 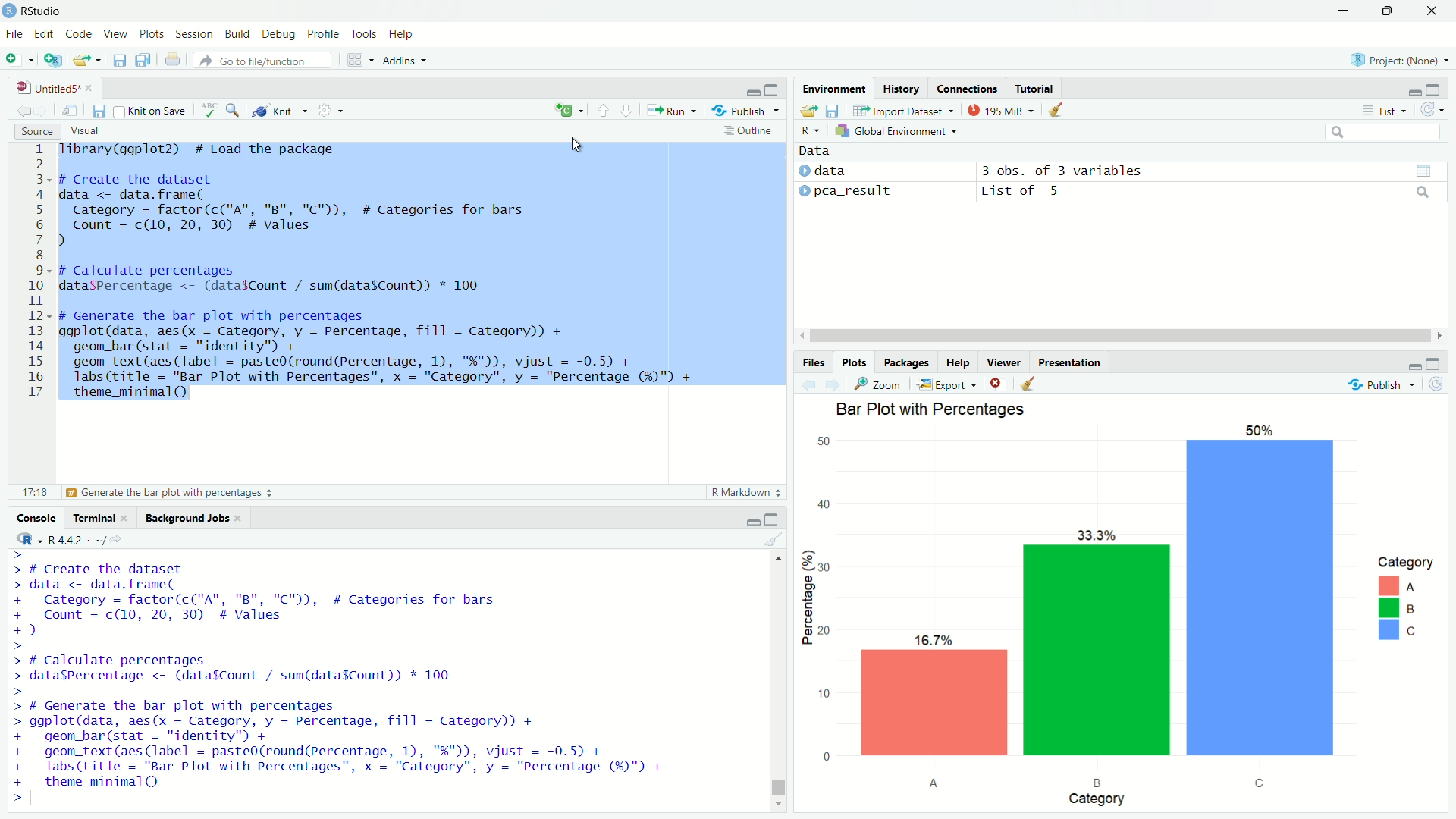 What do you see at coordinates (1003, 362) in the screenshot?
I see `viewer` at bounding box center [1003, 362].